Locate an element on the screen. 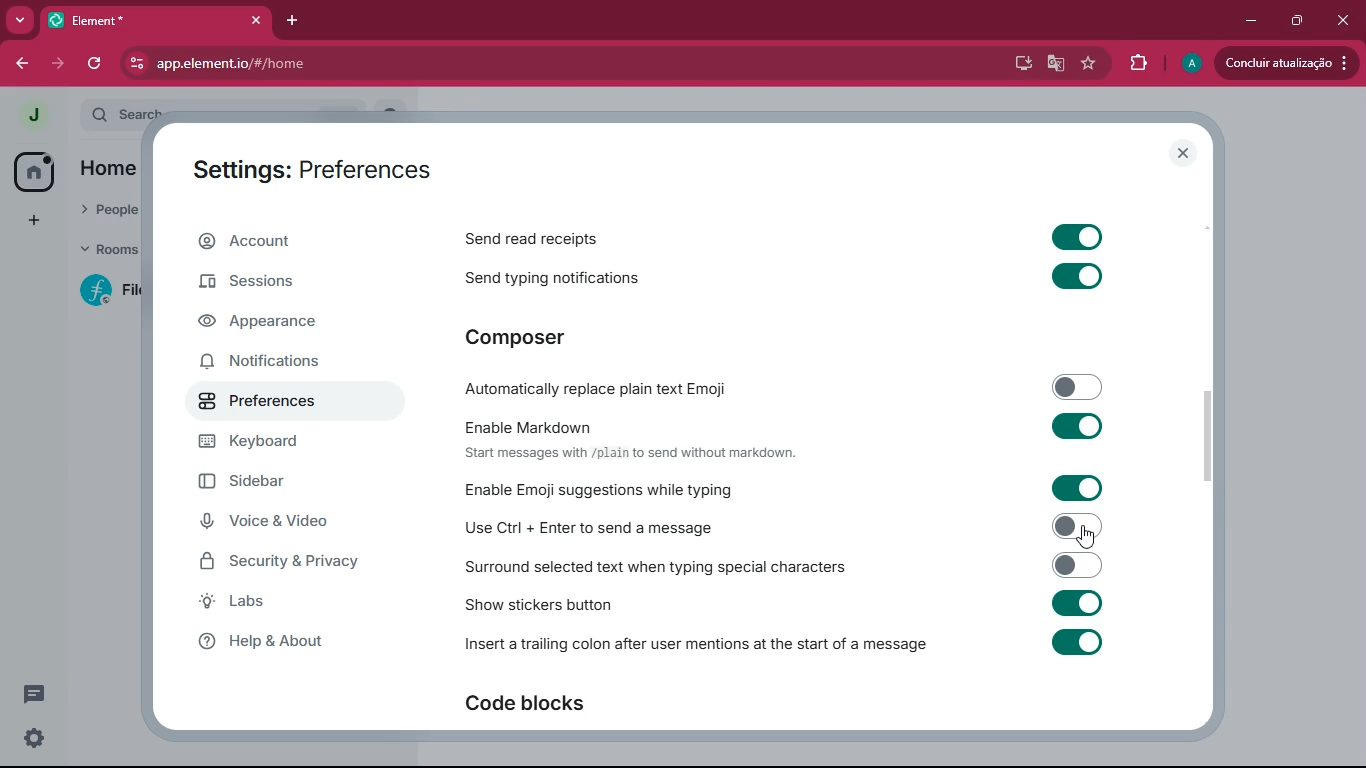 Image resolution: width=1366 pixels, height=768 pixels. profile picture is located at coordinates (33, 115).